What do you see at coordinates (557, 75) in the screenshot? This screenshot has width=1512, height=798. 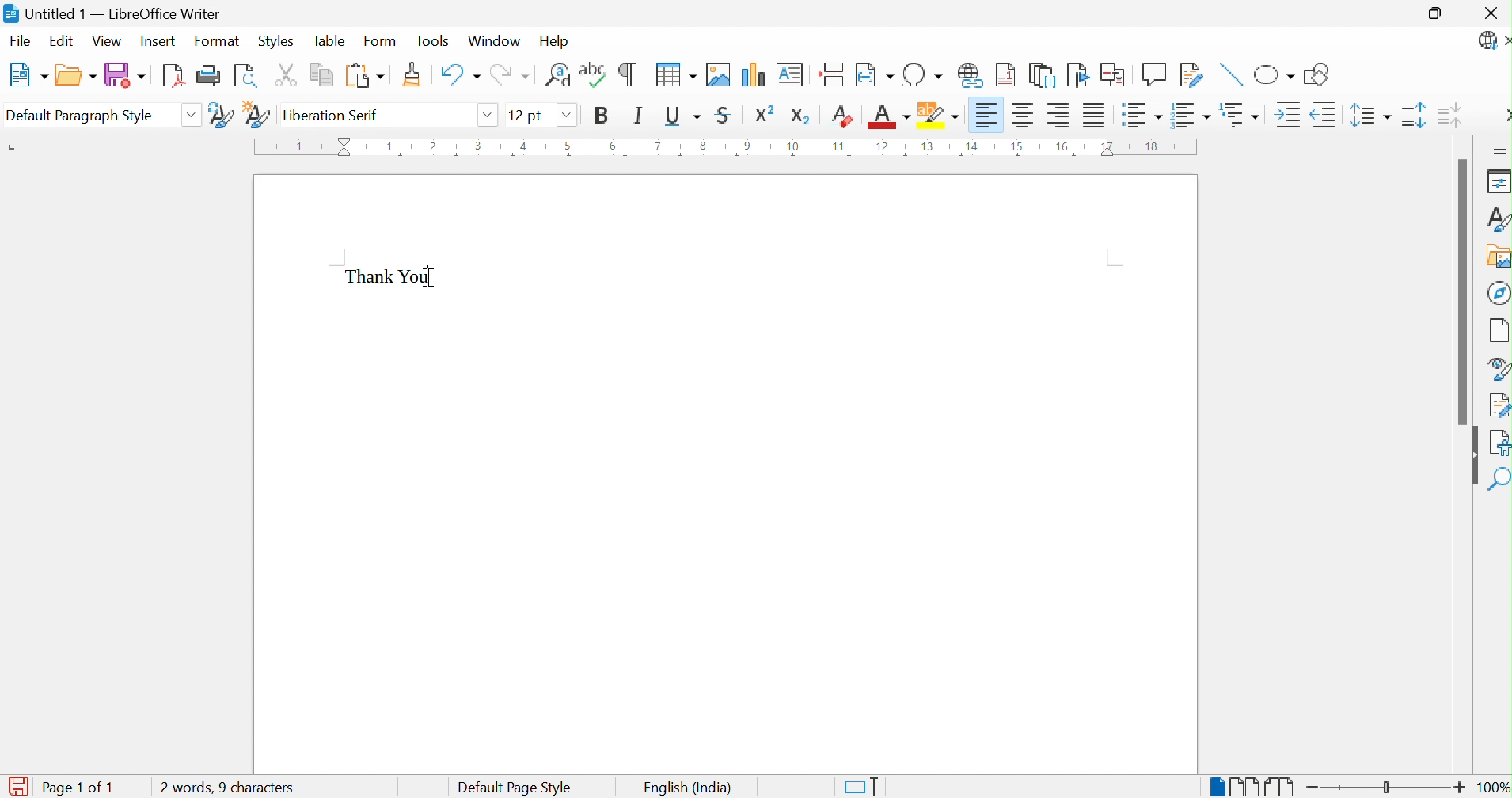 I see `Find and Replace` at bounding box center [557, 75].